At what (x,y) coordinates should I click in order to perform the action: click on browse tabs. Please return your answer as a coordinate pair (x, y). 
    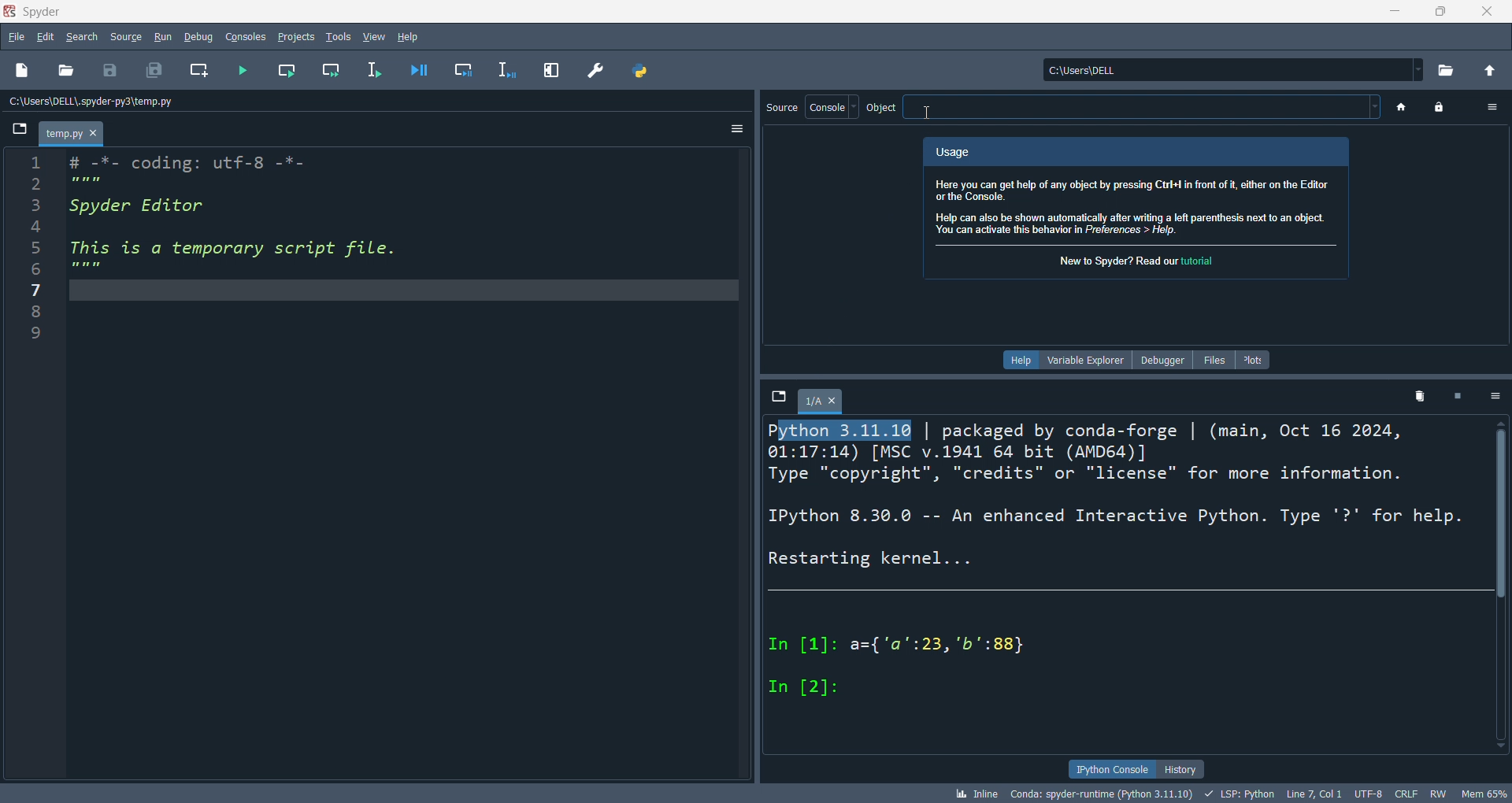
    Looking at the image, I should click on (20, 131).